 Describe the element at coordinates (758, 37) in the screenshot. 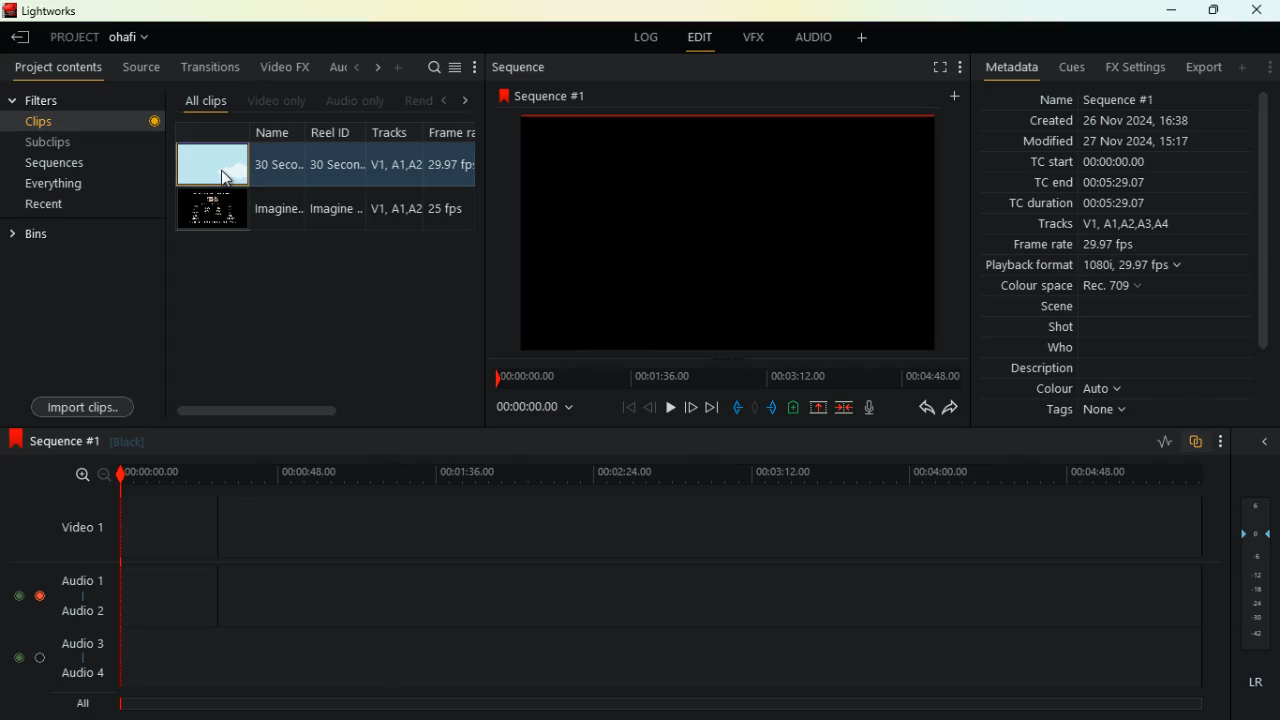

I see `vfx` at that location.